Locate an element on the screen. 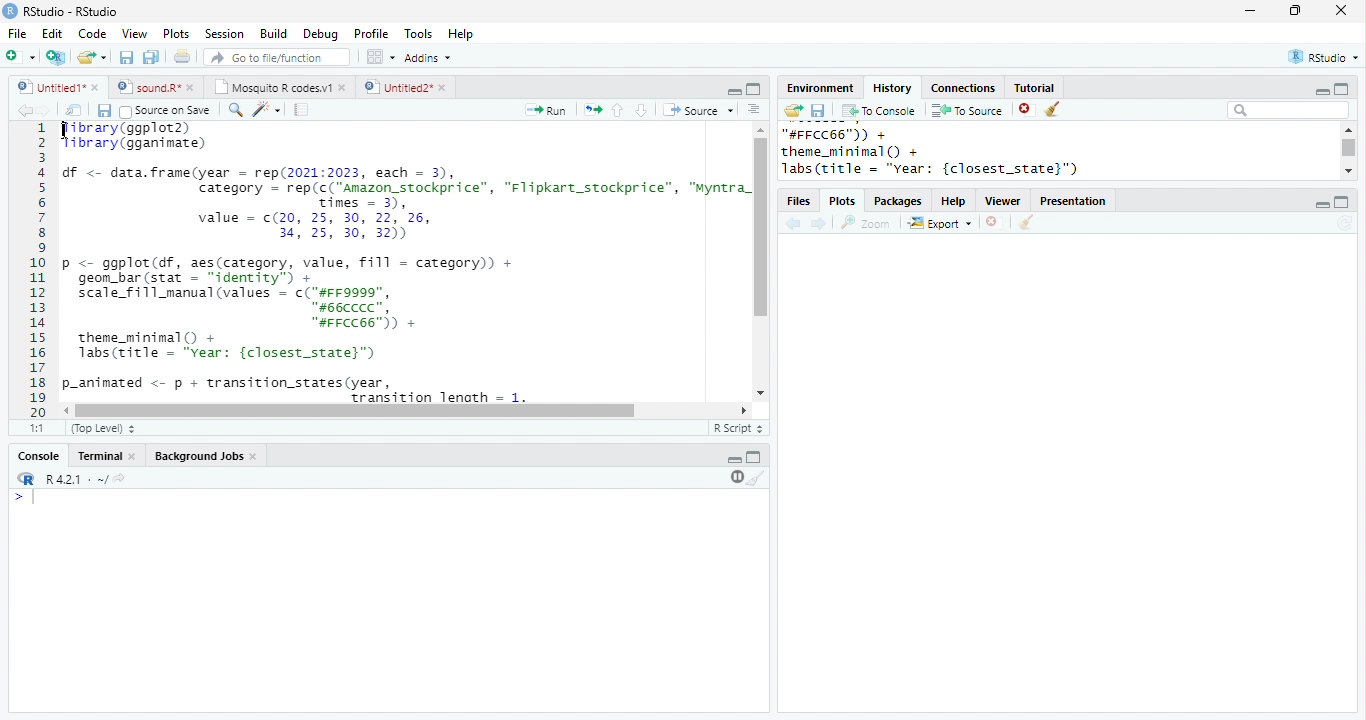 The image size is (1366, 720). Session is located at coordinates (223, 34).